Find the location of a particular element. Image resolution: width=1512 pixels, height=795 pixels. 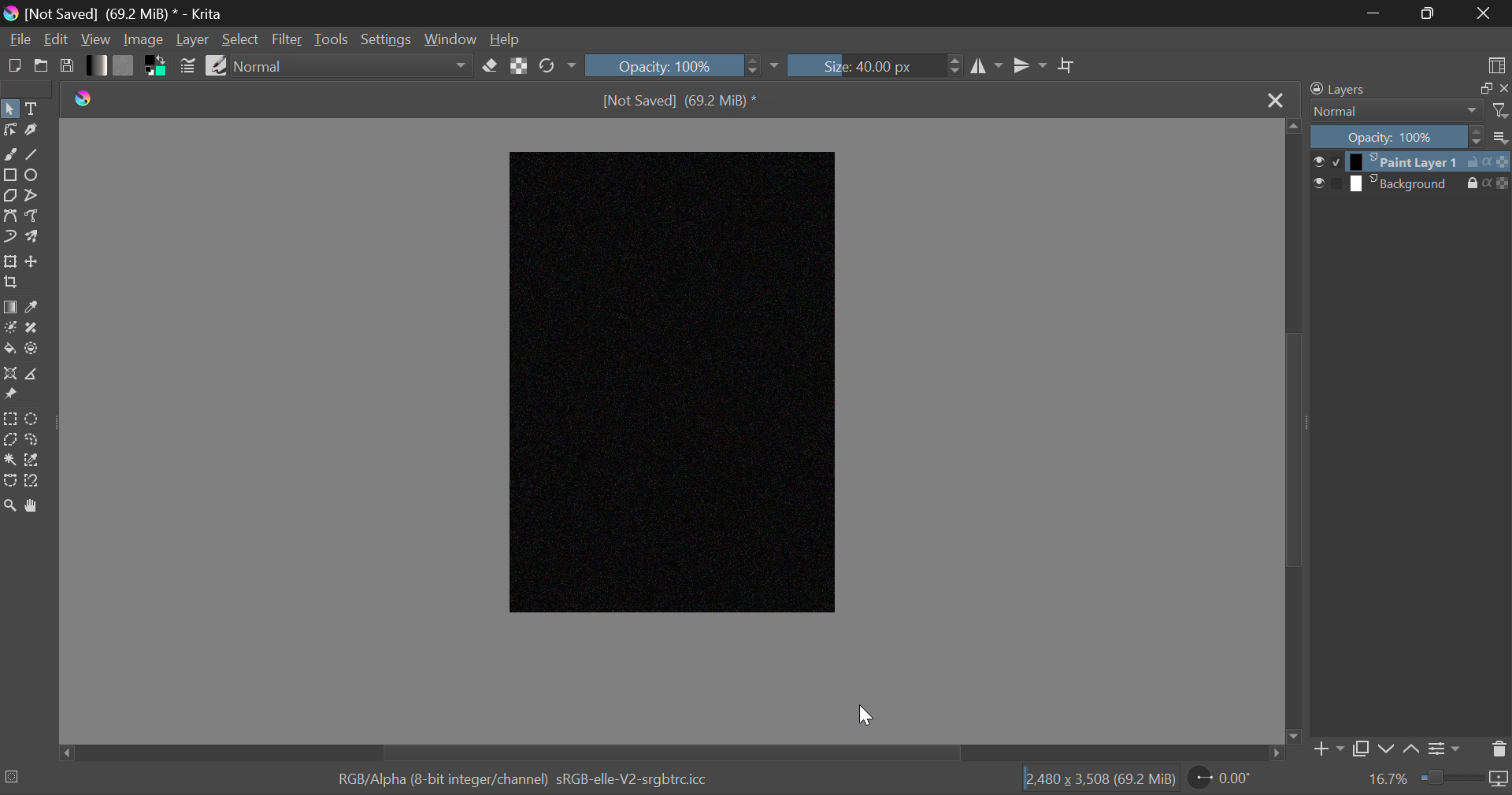

Select is located at coordinates (9, 110).